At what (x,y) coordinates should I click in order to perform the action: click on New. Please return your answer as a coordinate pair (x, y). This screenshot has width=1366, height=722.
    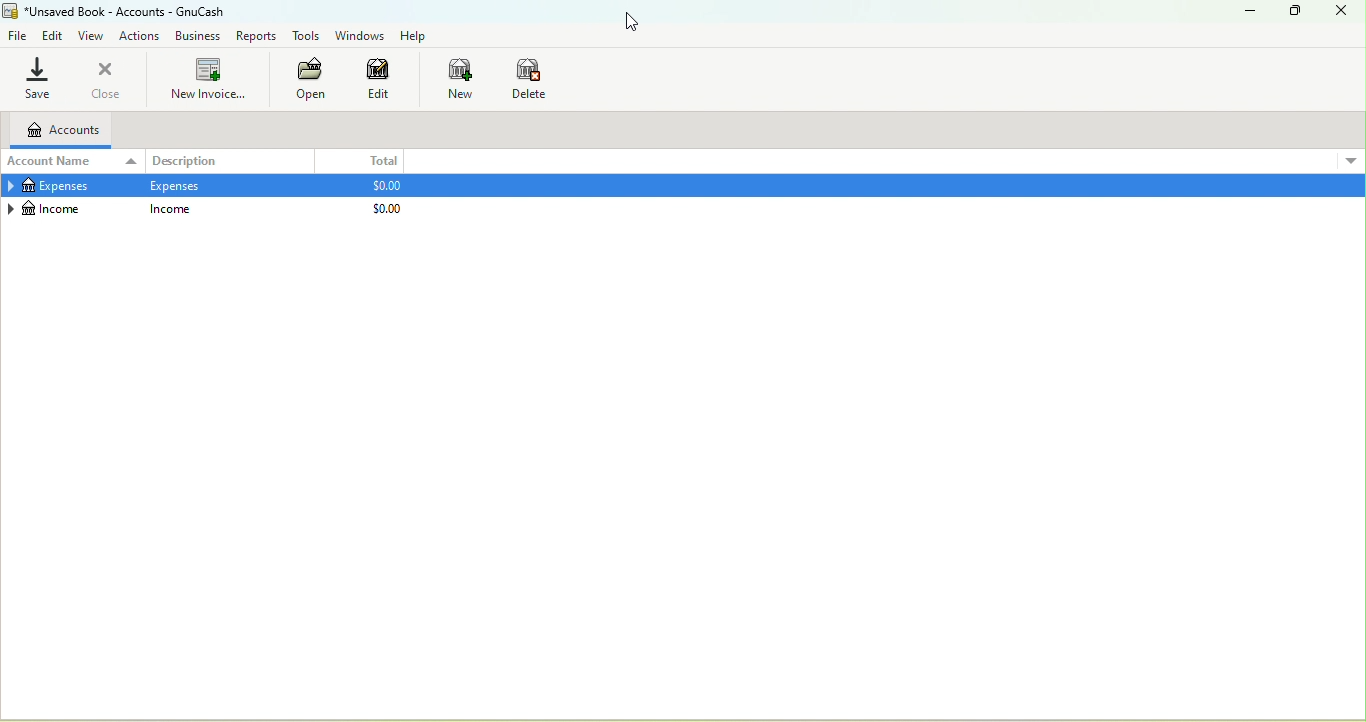
    Looking at the image, I should click on (459, 80).